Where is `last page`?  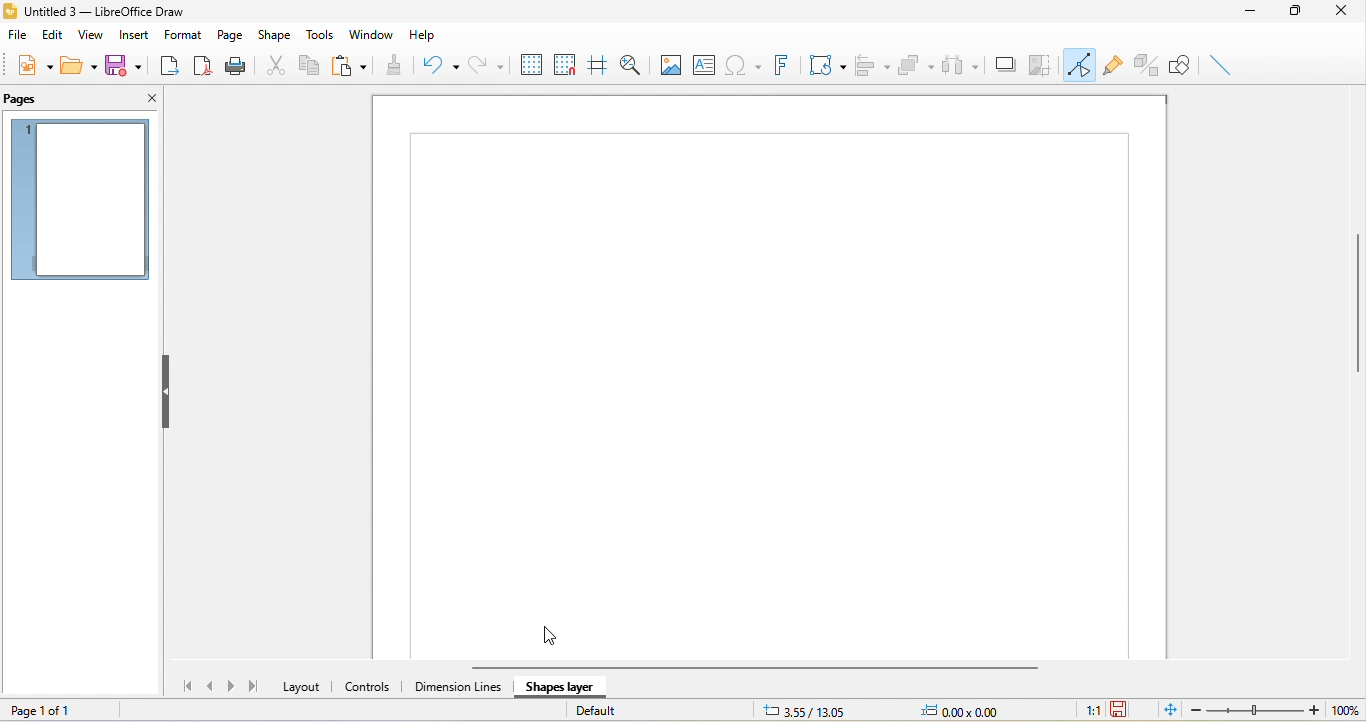 last page is located at coordinates (257, 689).